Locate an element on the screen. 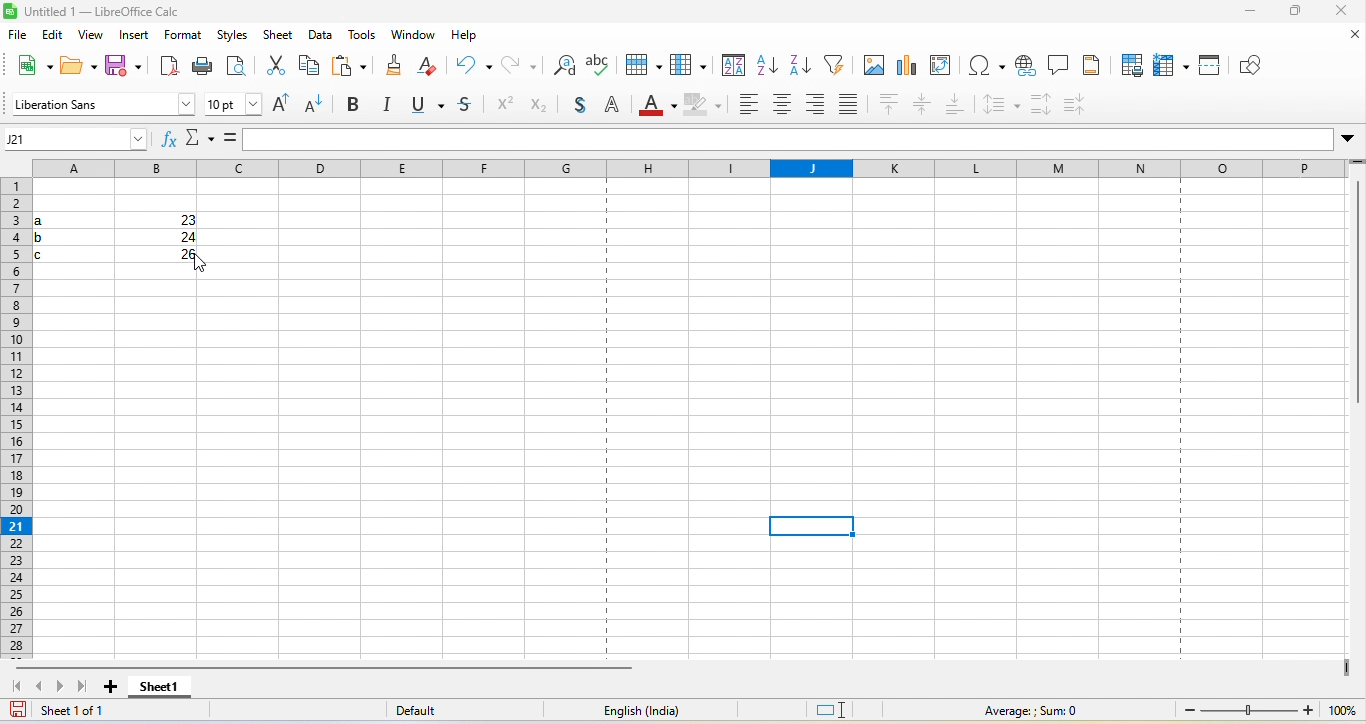 The image size is (1366, 724). row is located at coordinates (17, 413).